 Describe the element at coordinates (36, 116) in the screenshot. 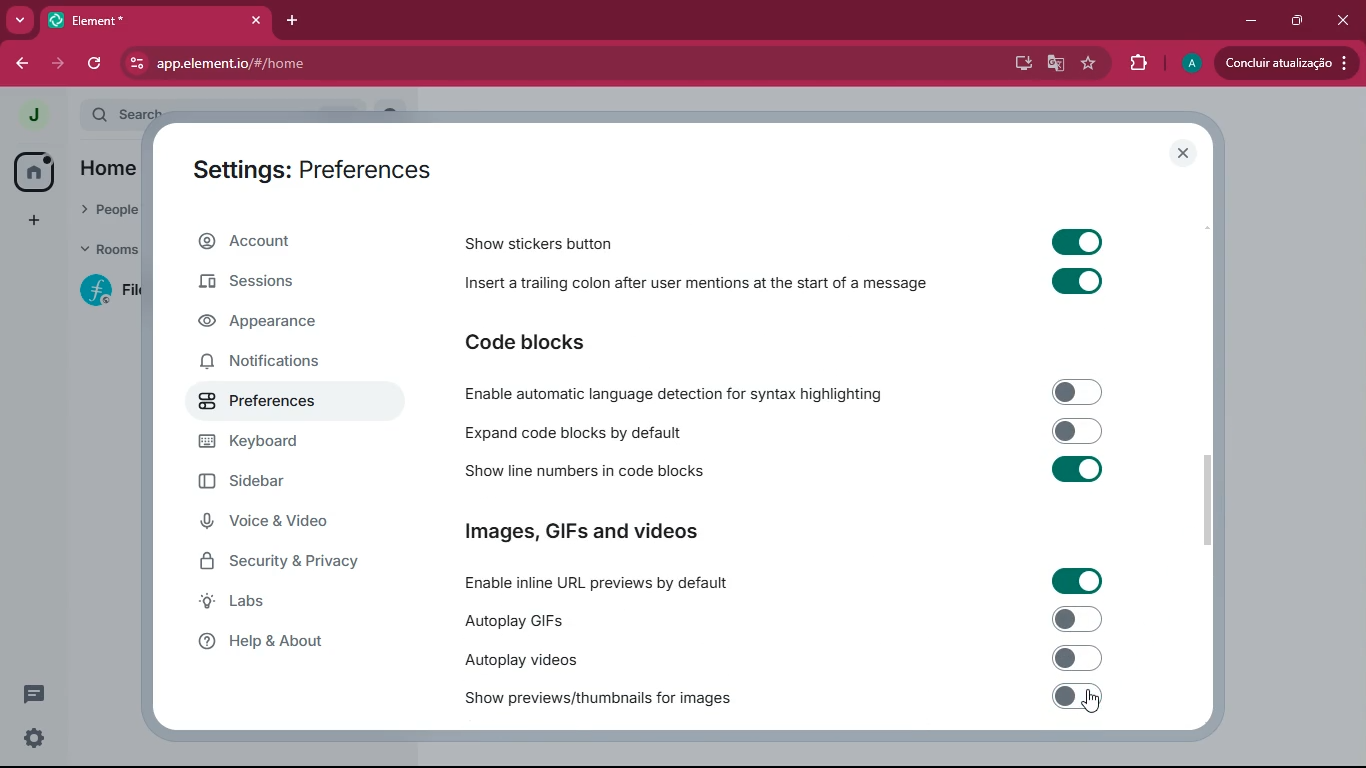

I see `profile picture` at that location.